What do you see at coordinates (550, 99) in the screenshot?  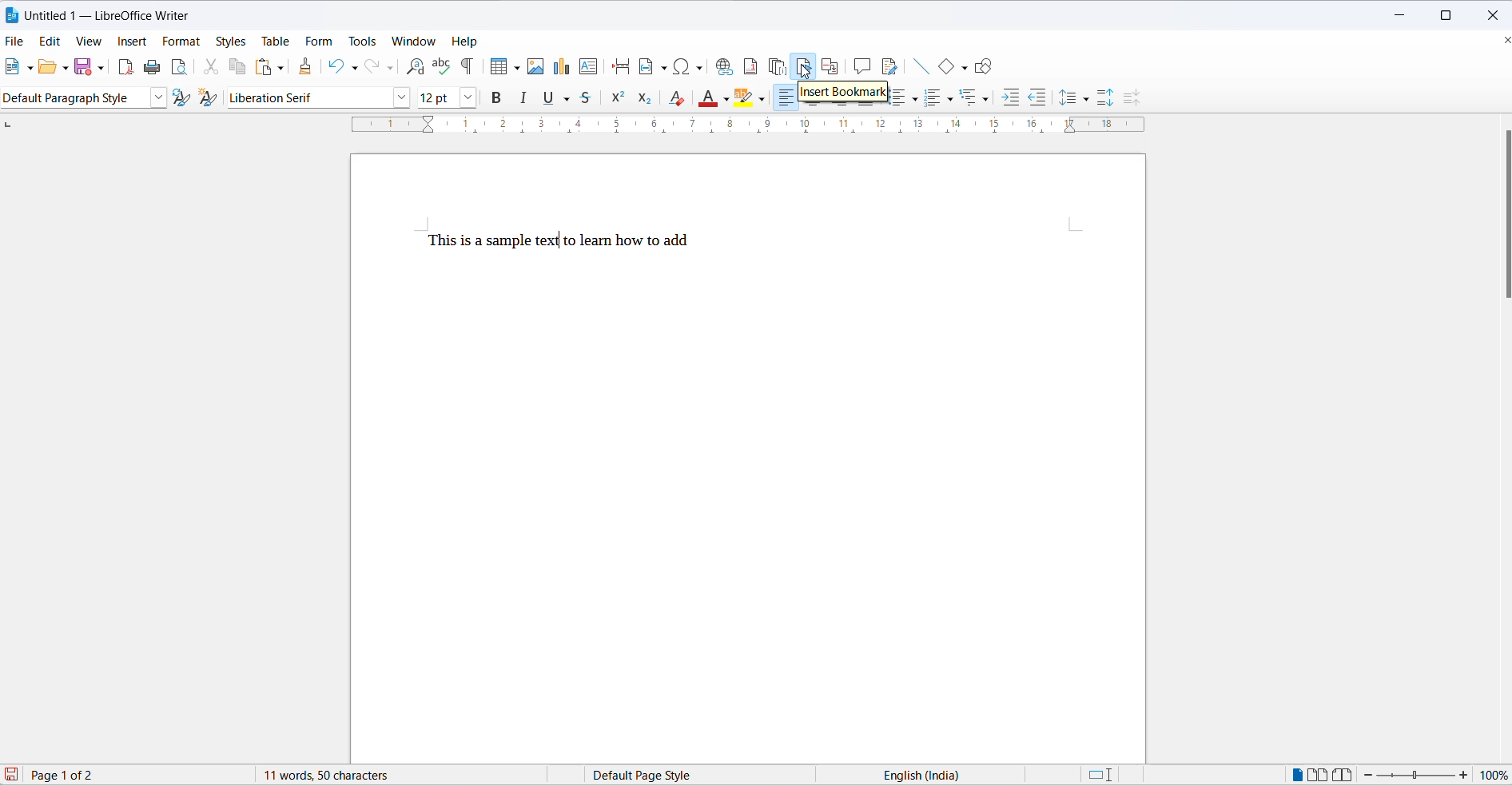 I see `underline` at bounding box center [550, 99].